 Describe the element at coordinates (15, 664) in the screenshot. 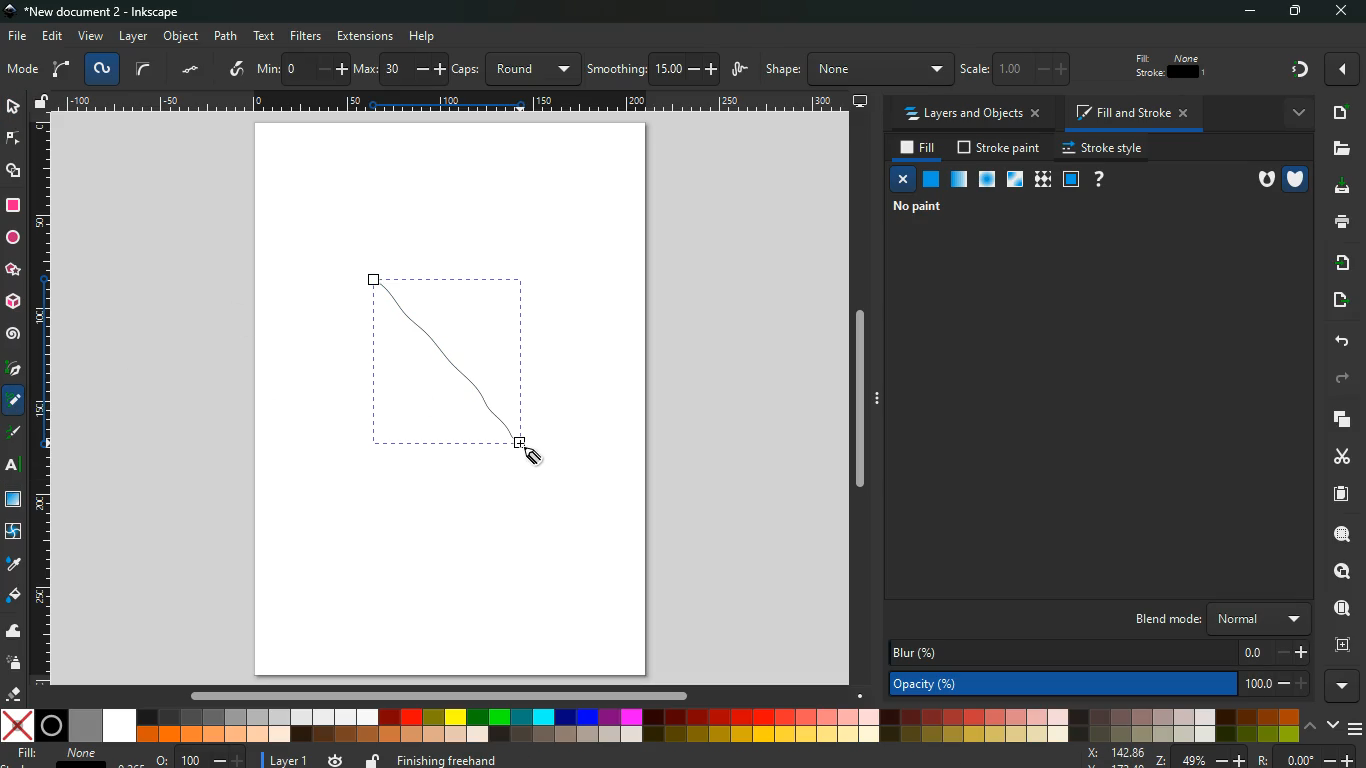

I see `spray` at that location.